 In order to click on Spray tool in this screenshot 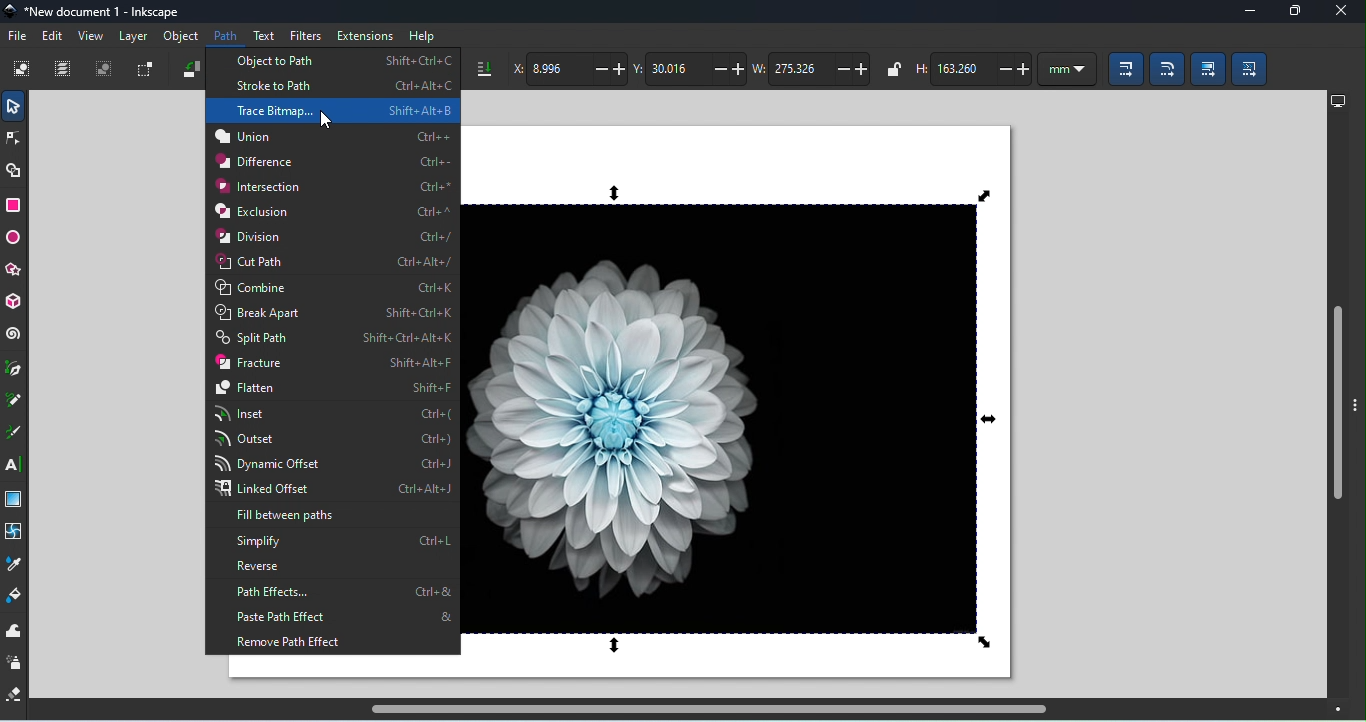, I will do `click(15, 663)`.